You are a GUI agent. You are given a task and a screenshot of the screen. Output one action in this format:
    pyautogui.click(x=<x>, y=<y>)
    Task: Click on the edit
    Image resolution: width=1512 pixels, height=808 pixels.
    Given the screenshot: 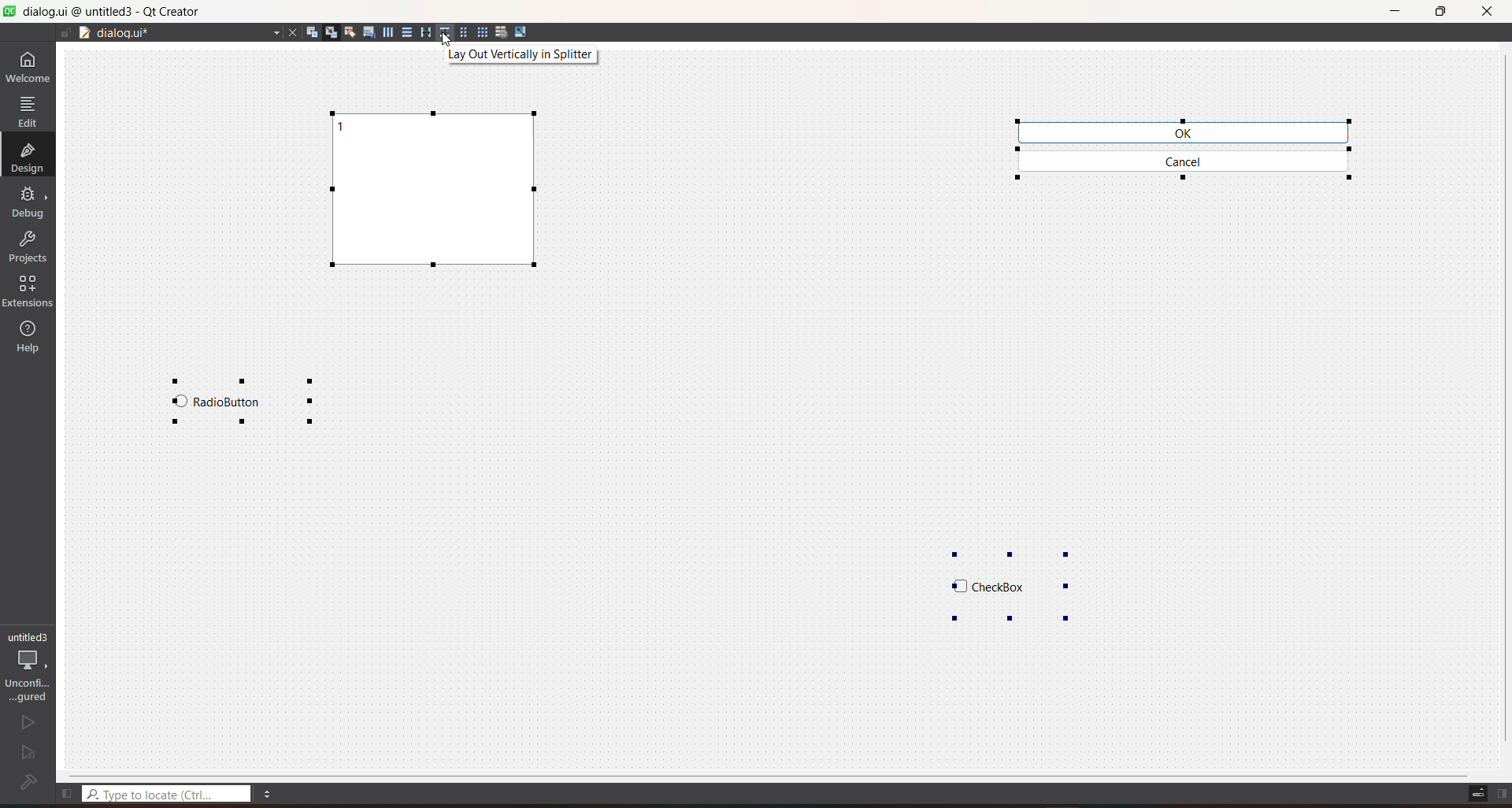 What is the action you would take?
    pyautogui.click(x=28, y=110)
    